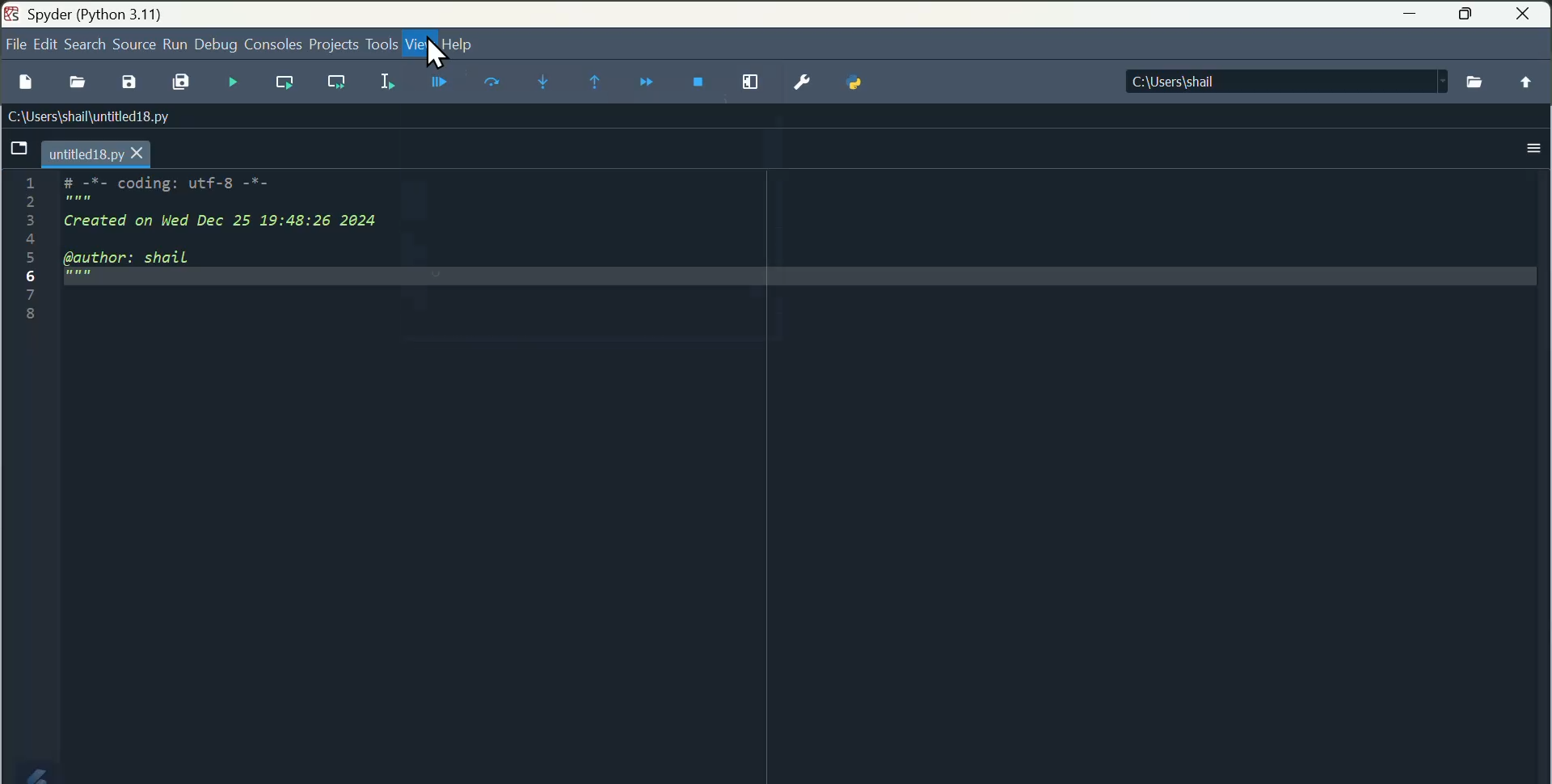 Image resolution: width=1552 pixels, height=784 pixels. I want to click on New file, so click(26, 83).